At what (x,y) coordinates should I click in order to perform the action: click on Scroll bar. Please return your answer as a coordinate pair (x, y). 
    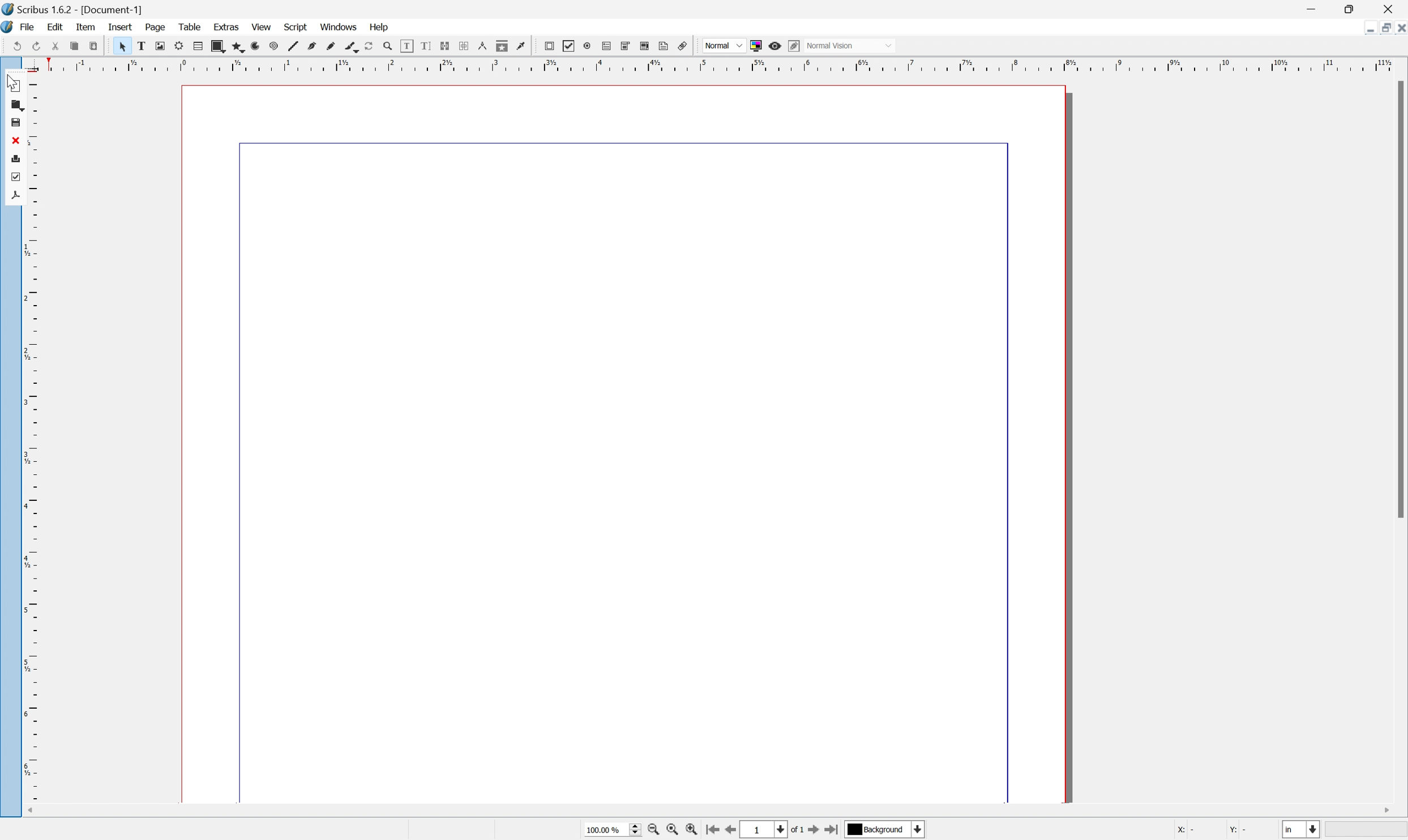
    Looking at the image, I should click on (1399, 298).